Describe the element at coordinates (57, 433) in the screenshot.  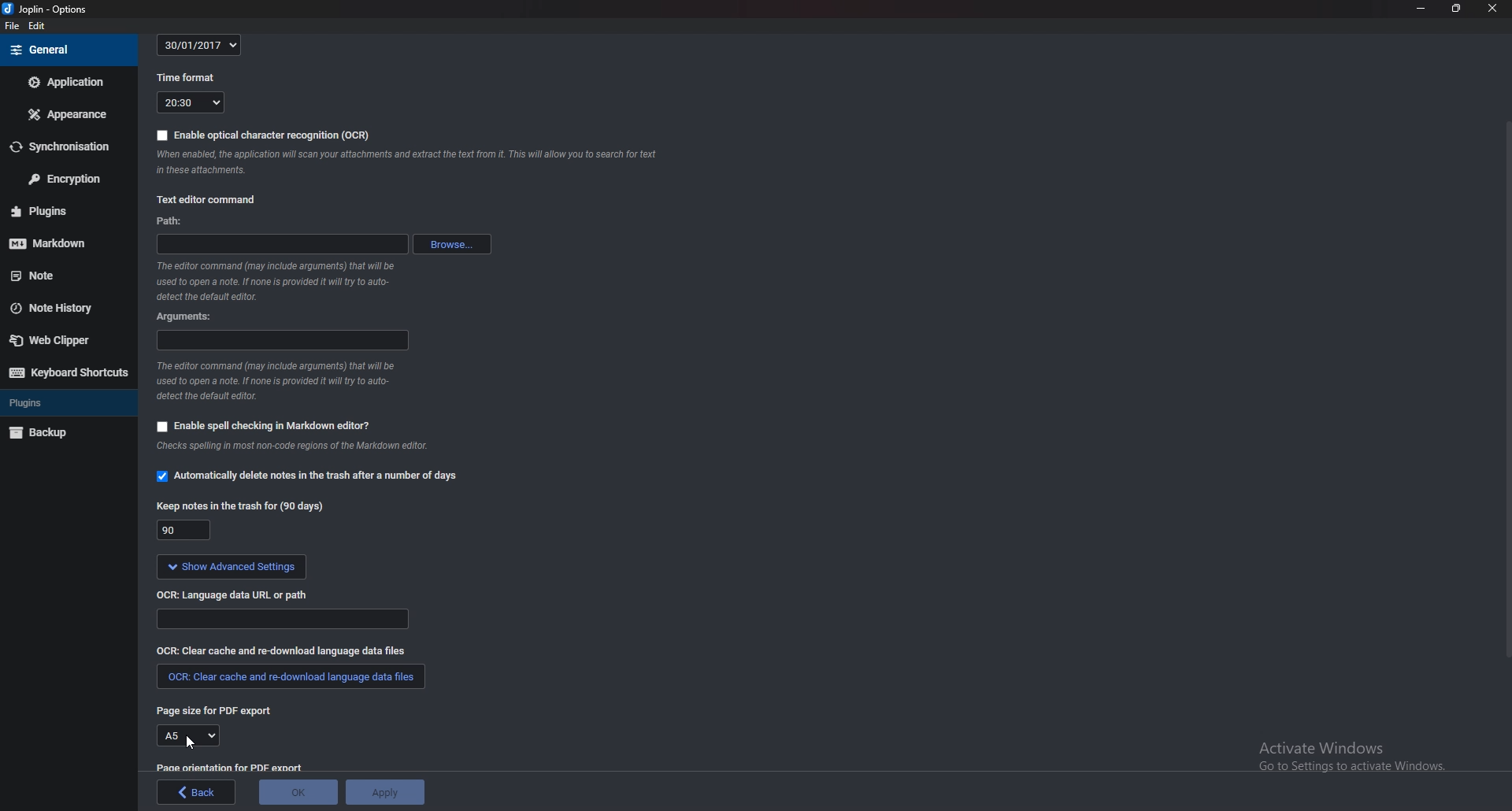
I see `Back up` at that location.